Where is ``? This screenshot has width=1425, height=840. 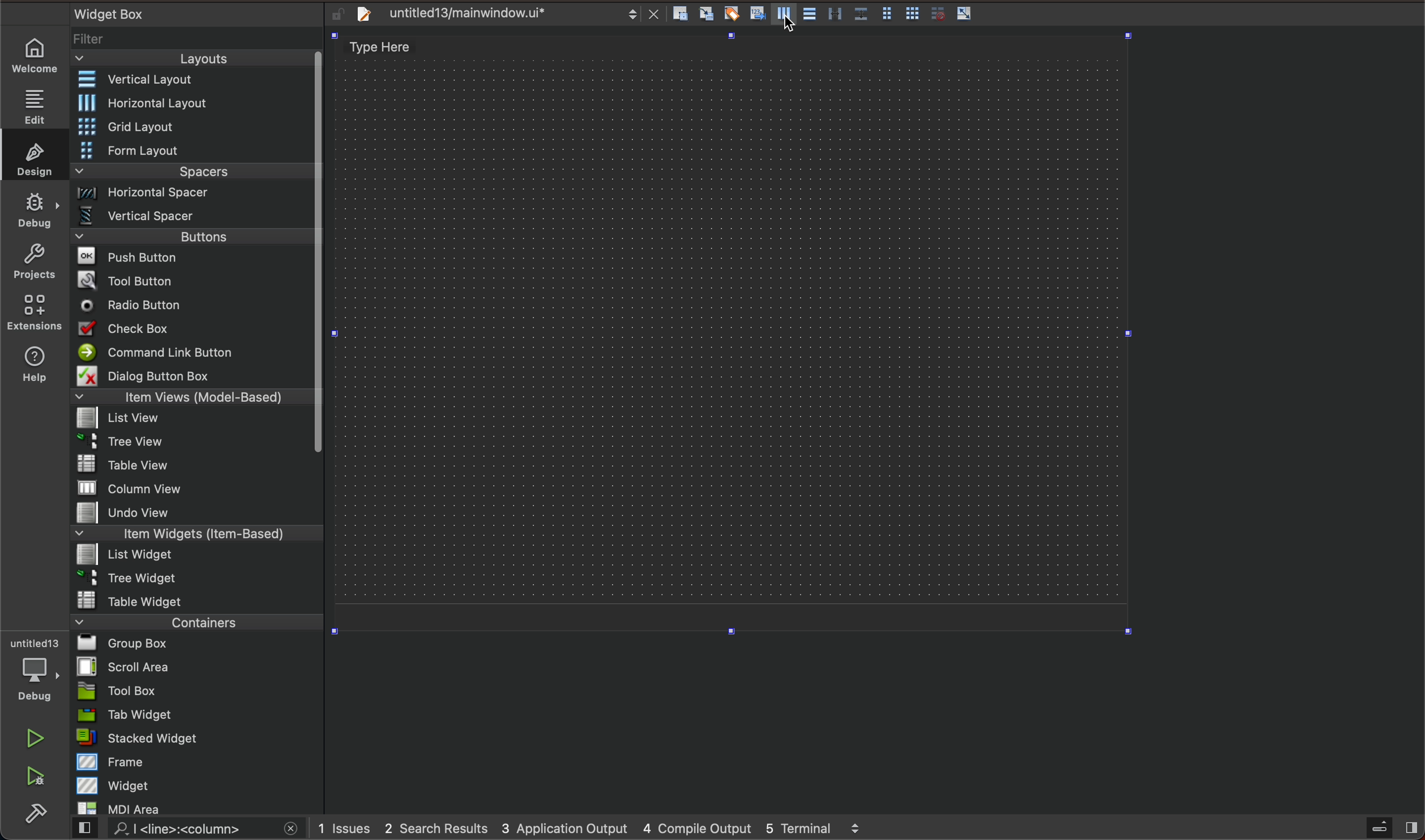
 is located at coordinates (967, 15).